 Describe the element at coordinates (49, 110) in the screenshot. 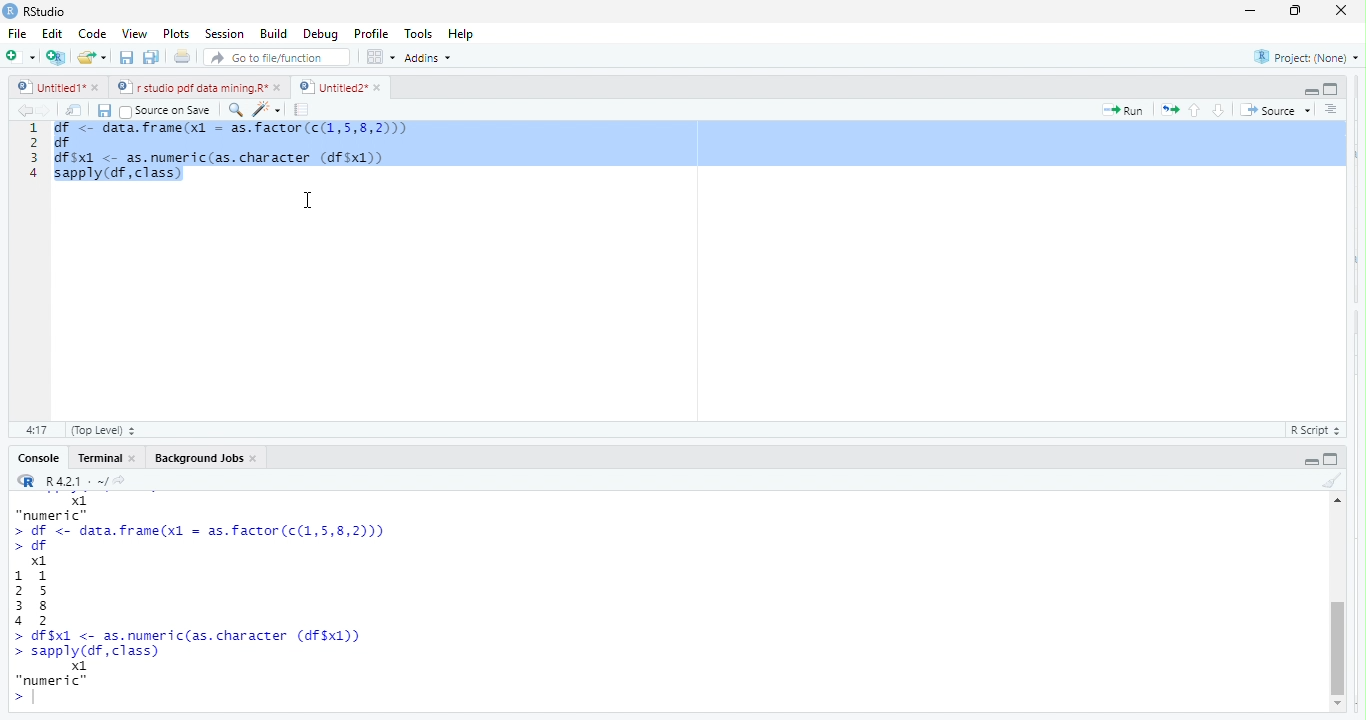

I see `go forward to the next source location` at that location.